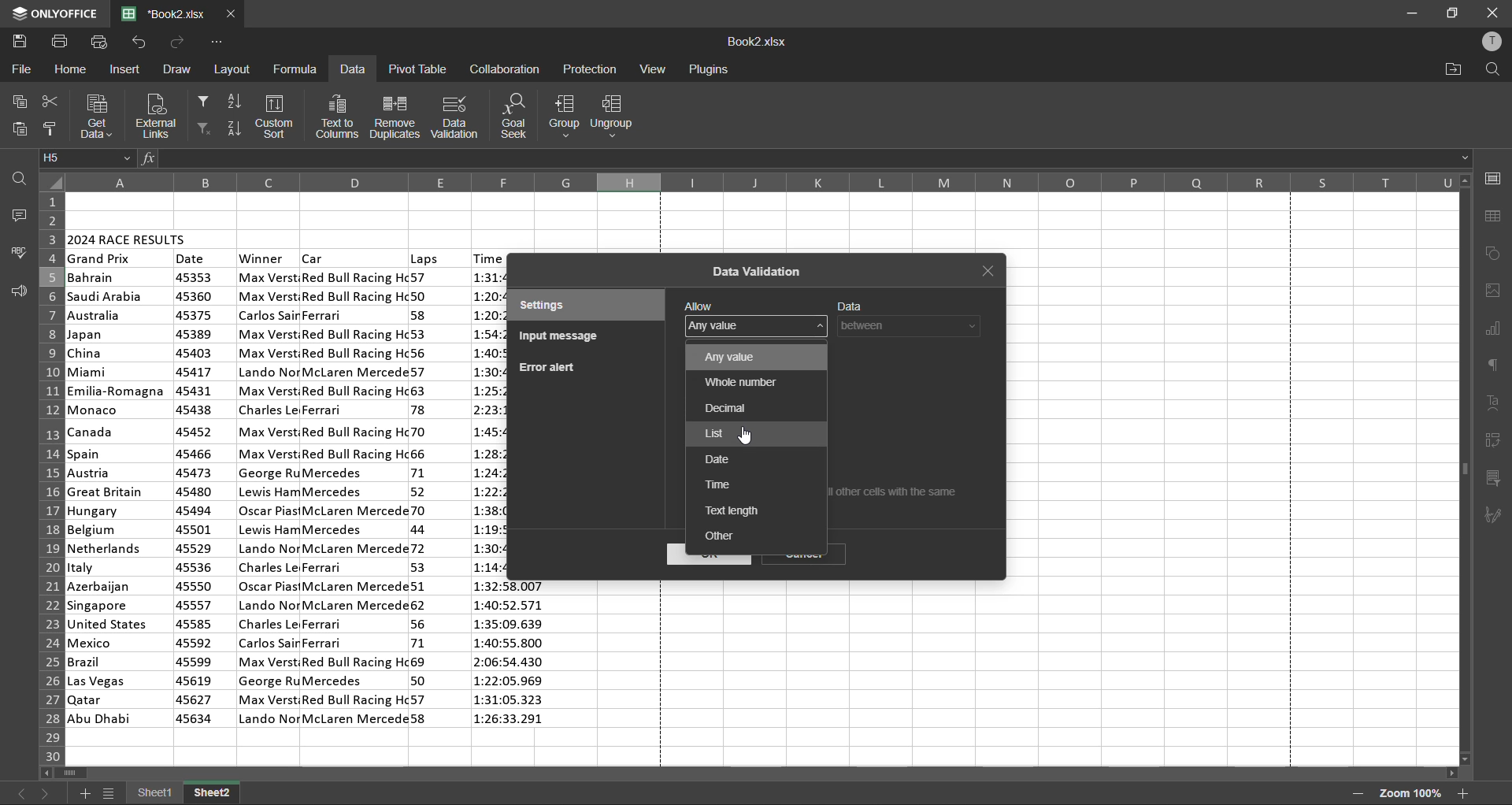 This screenshot has height=805, width=1512. Describe the element at coordinates (17, 291) in the screenshot. I see `feedback` at that location.